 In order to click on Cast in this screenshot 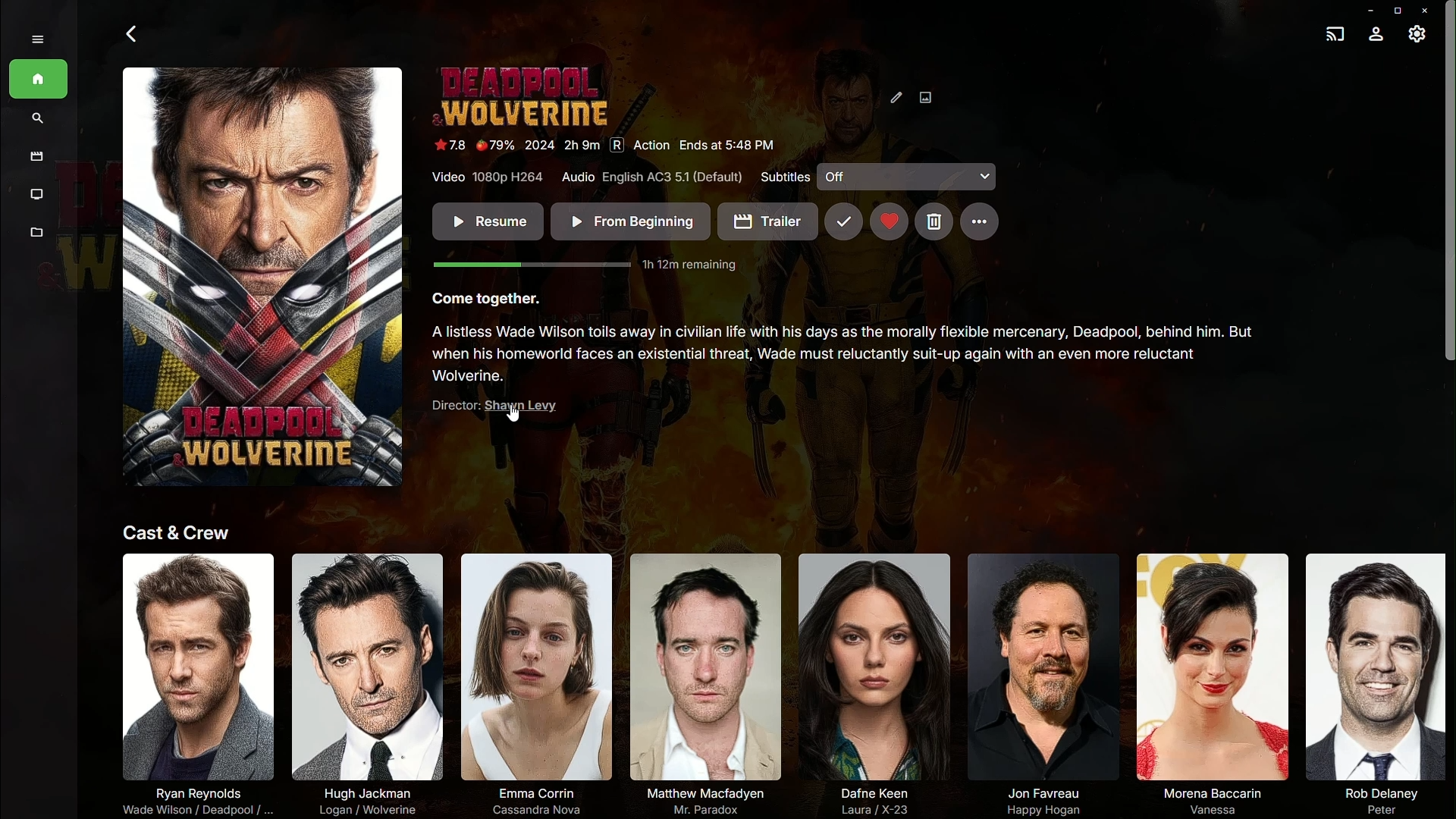, I will do `click(1333, 36)`.